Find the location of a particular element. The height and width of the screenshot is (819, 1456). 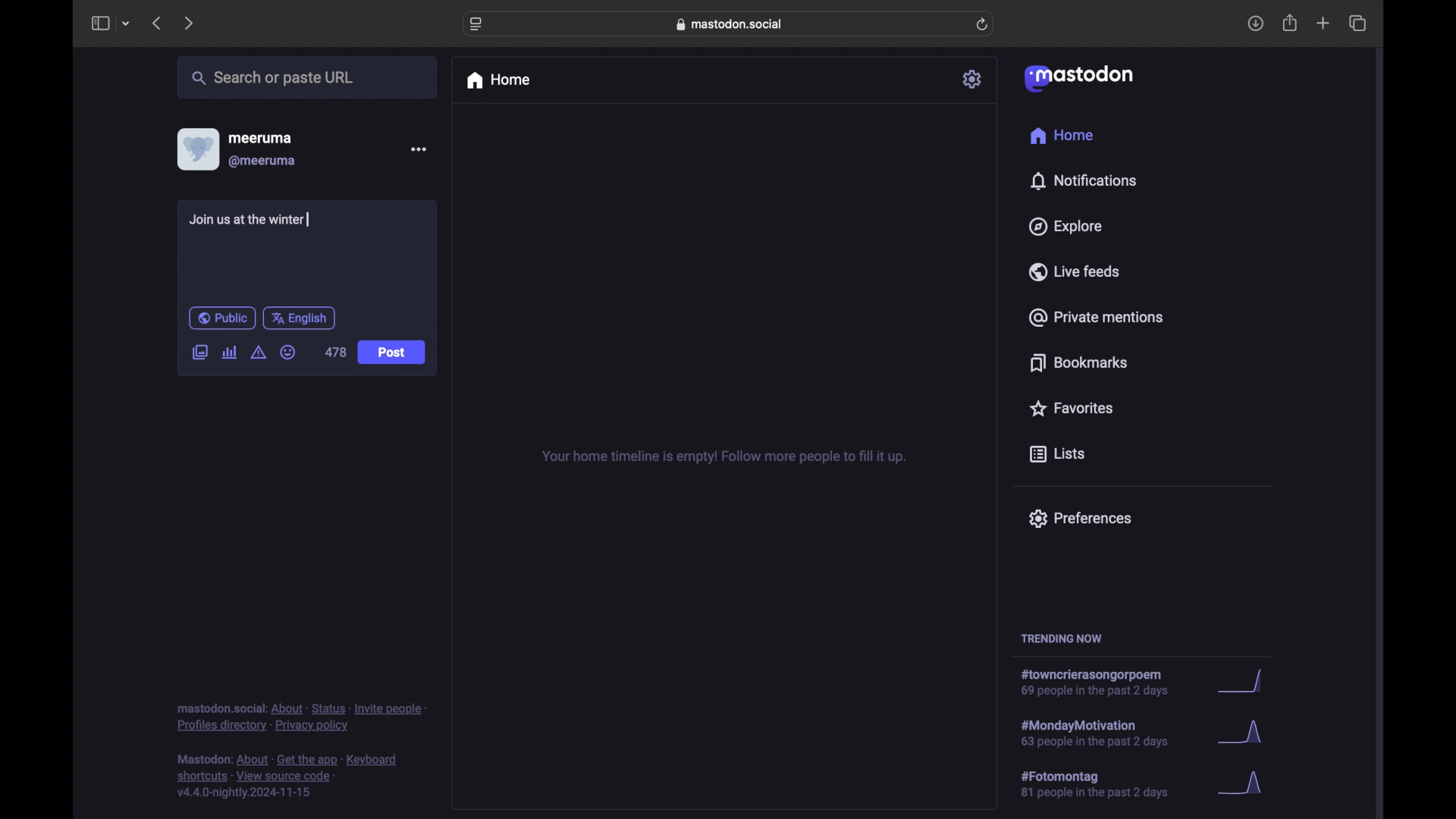

website settings is located at coordinates (478, 24).